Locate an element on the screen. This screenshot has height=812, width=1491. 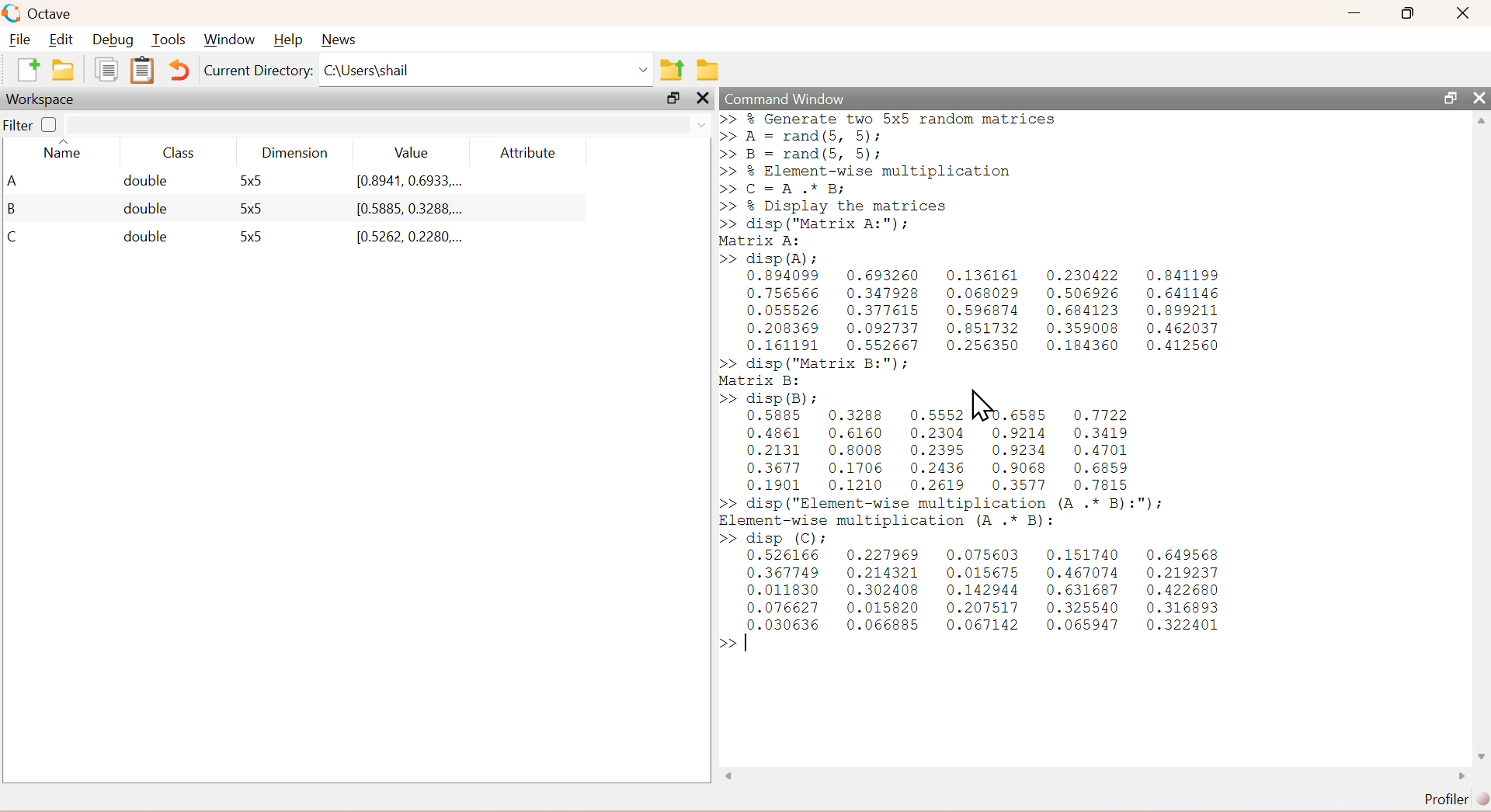
Edit is located at coordinates (65, 38).